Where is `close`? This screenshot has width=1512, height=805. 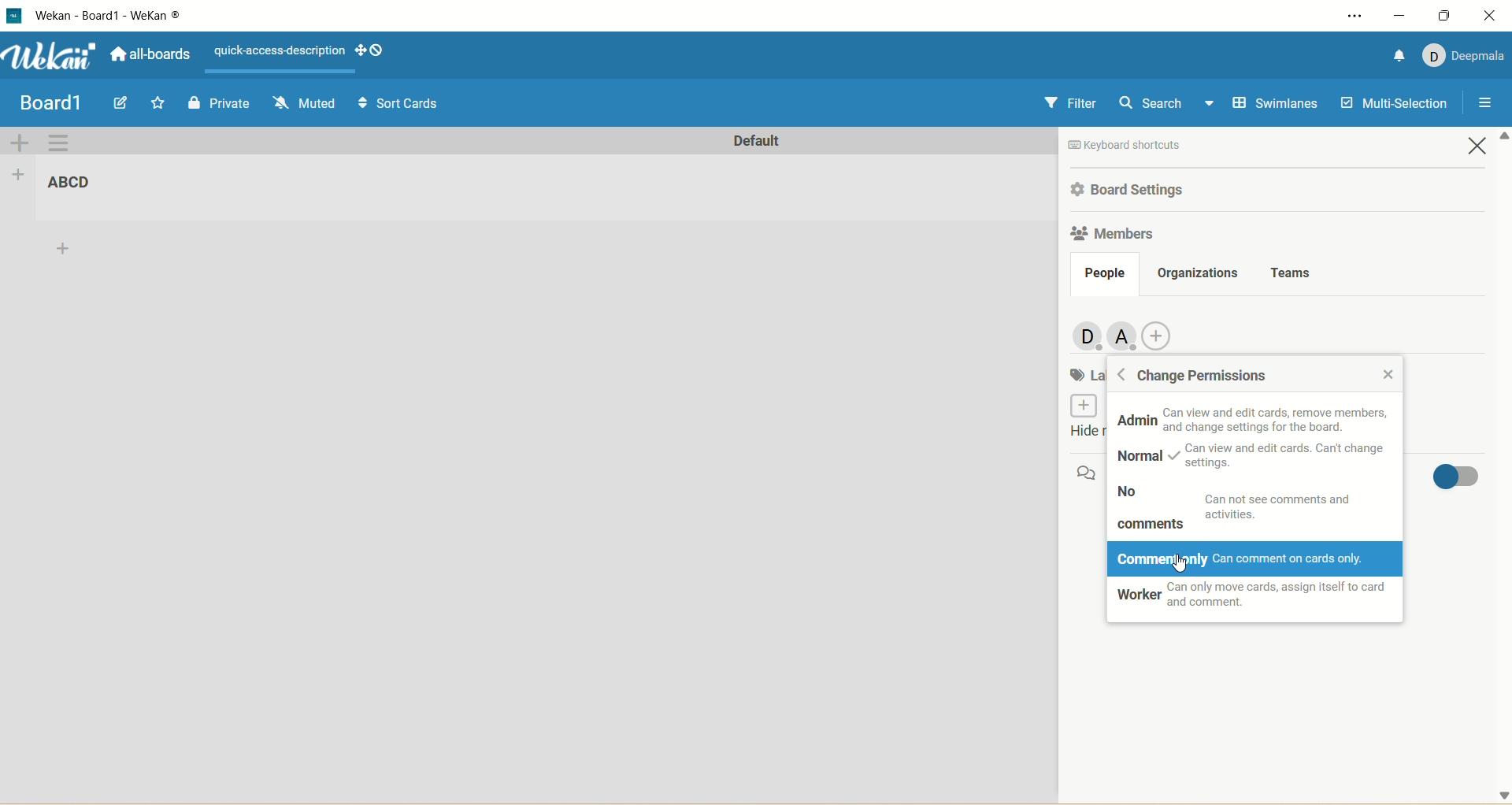 close is located at coordinates (1490, 18).